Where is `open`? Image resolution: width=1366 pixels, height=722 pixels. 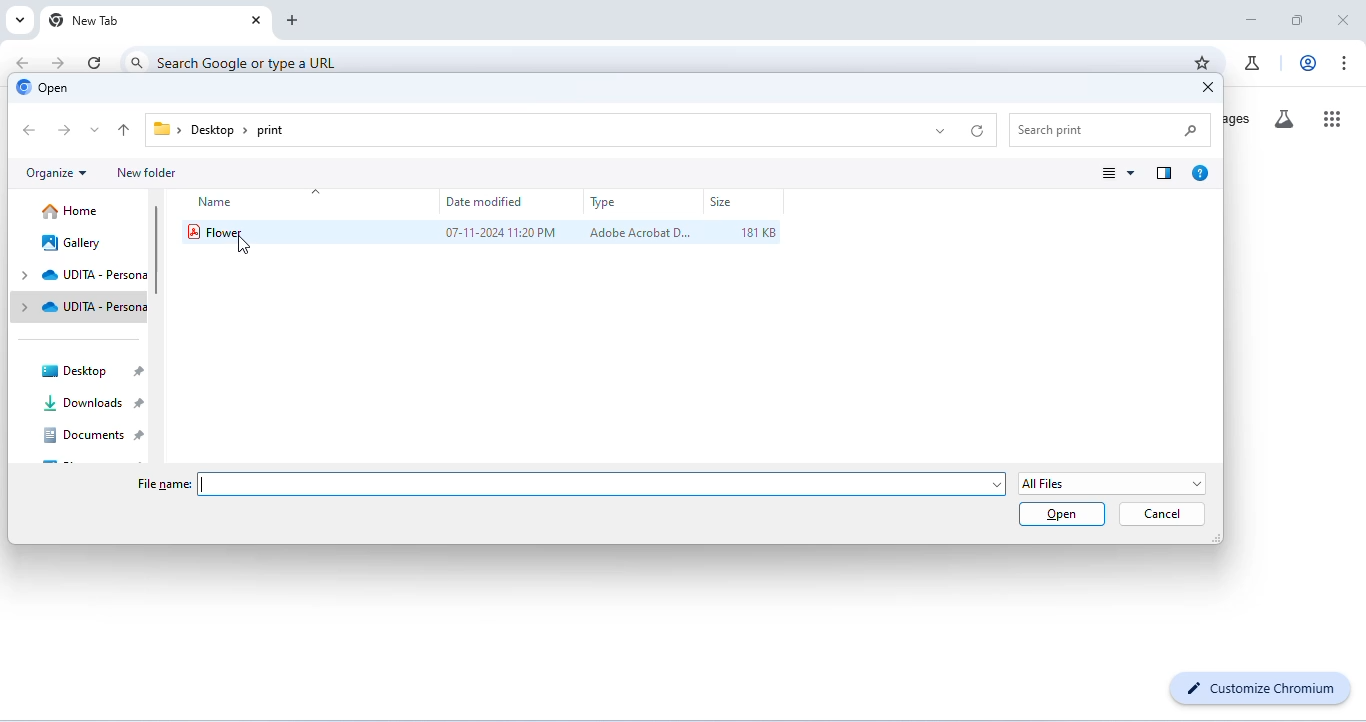
open is located at coordinates (43, 88).